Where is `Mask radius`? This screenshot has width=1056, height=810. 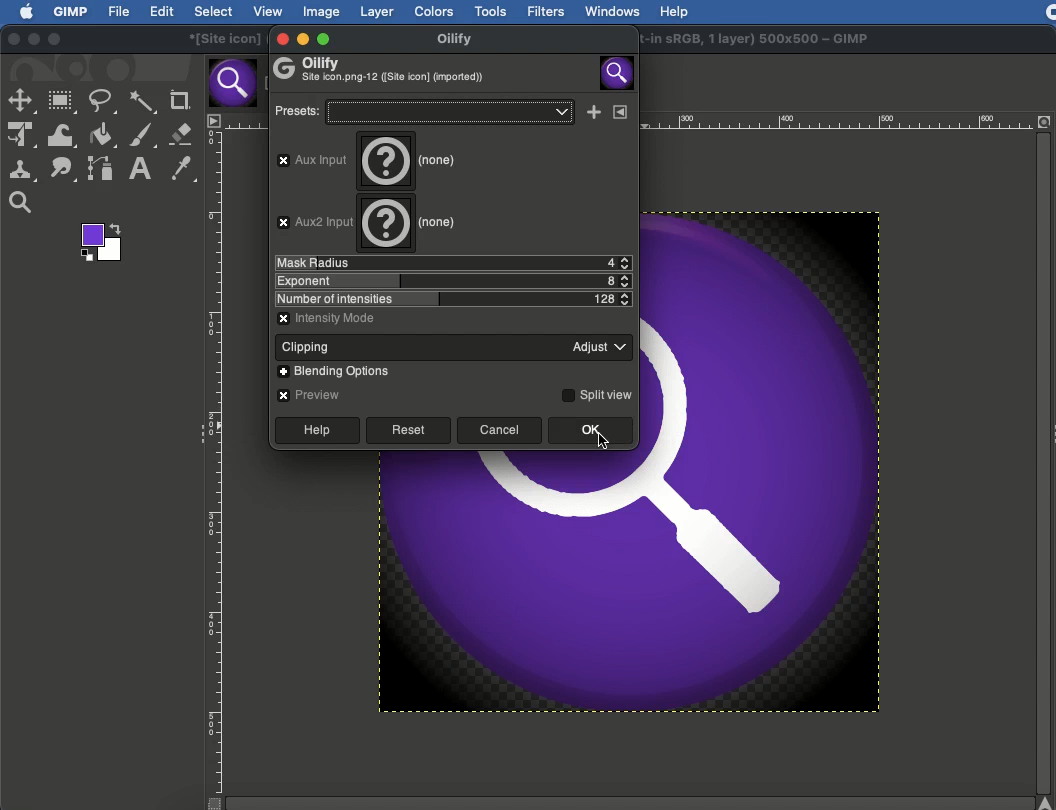
Mask radius is located at coordinates (454, 263).